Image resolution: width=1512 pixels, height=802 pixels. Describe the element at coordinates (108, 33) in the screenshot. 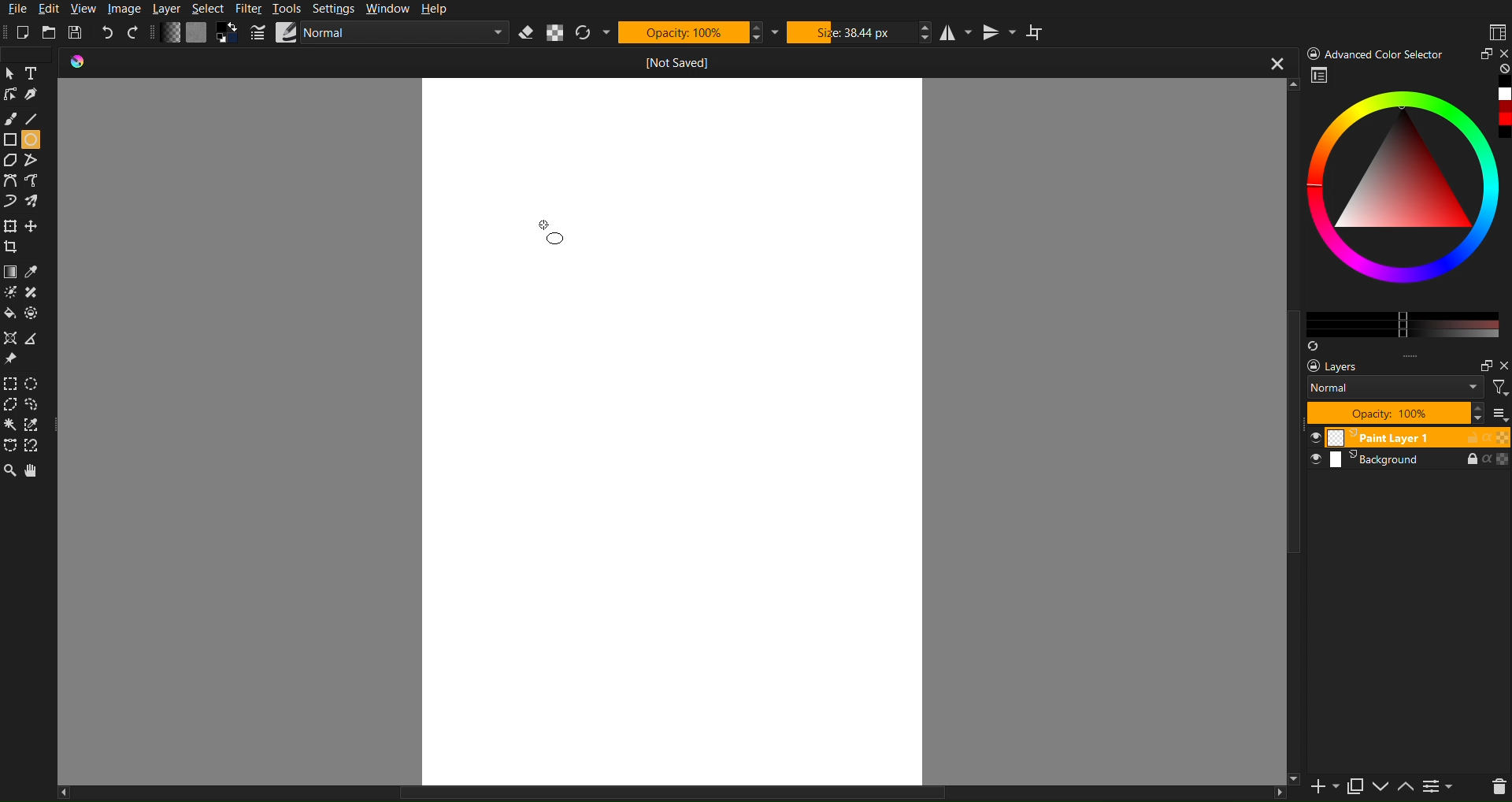

I see `Undo` at that location.